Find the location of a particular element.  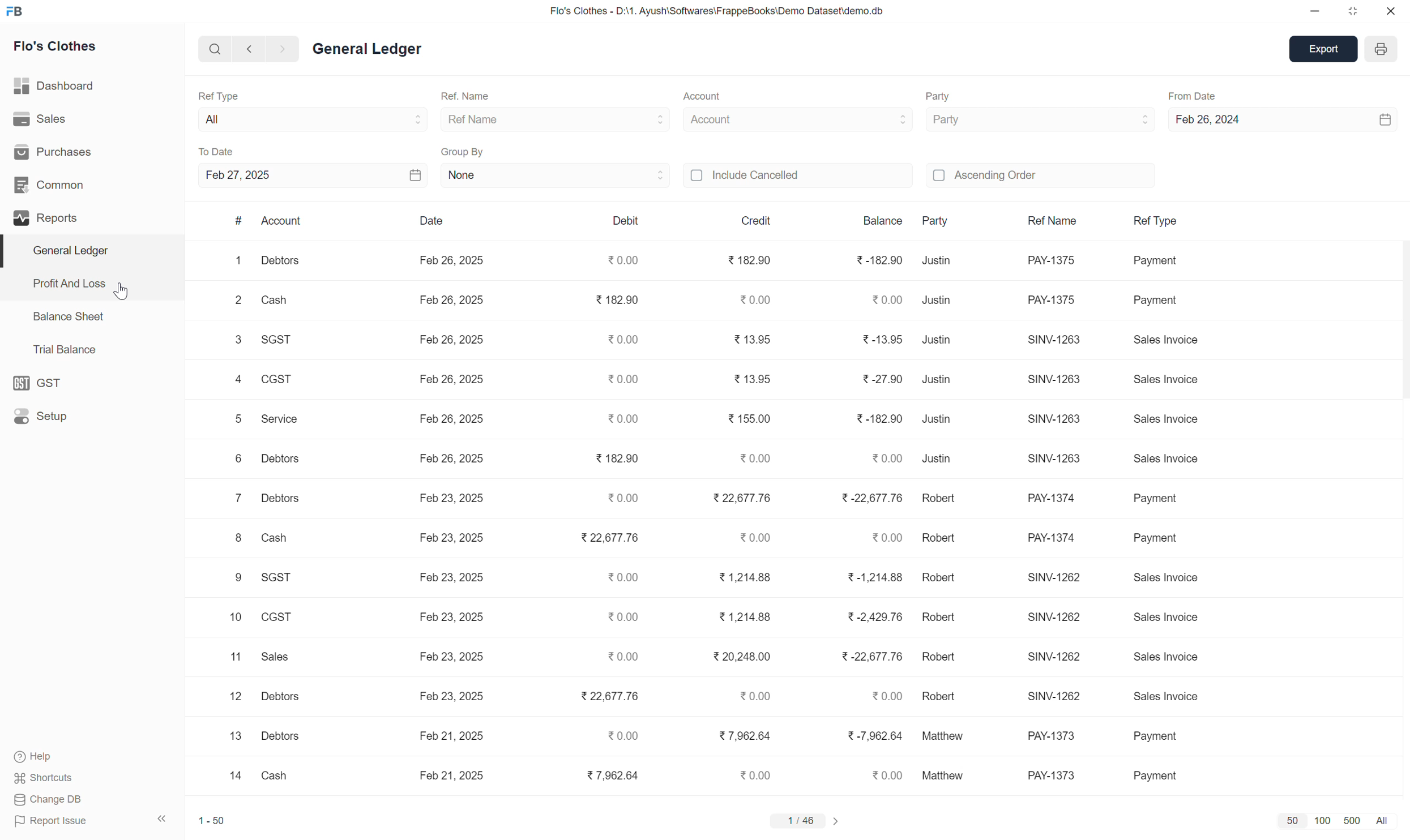

Debtors is located at coordinates (279, 697).